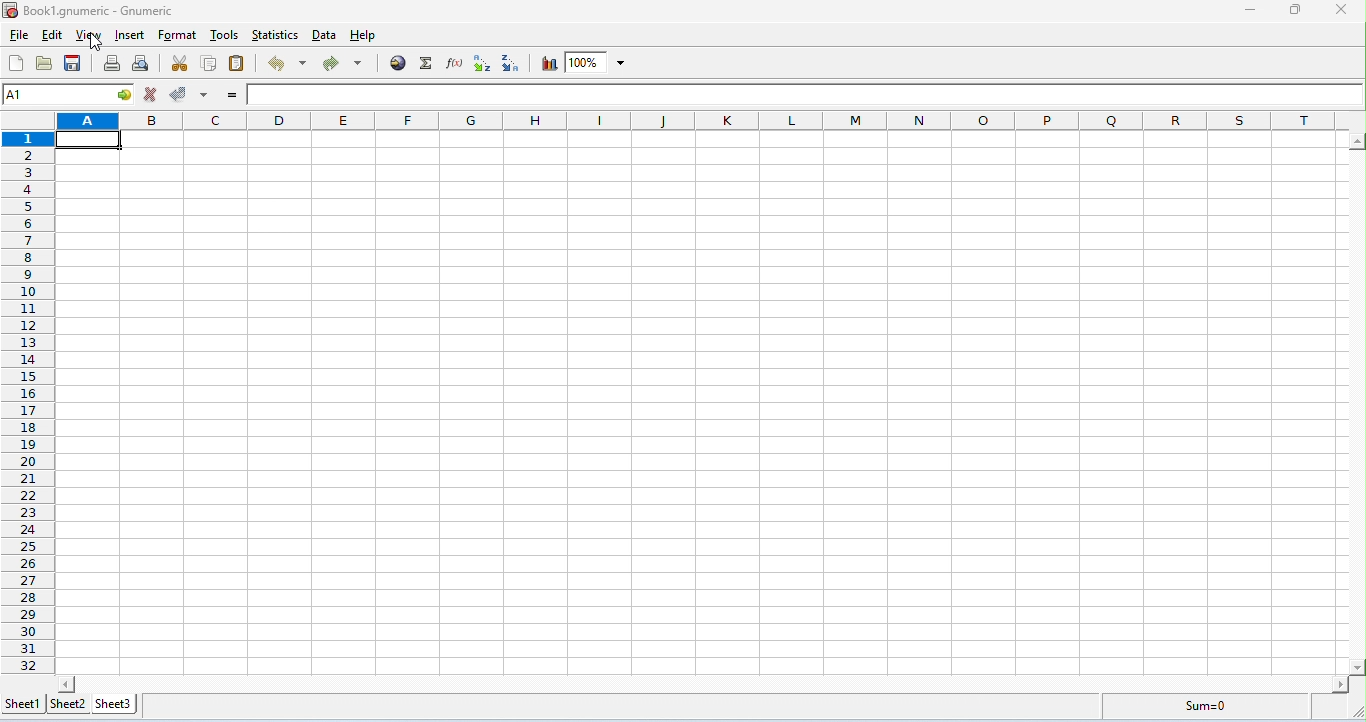 The image size is (1366, 722). What do you see at coordinates (206, 94) in the screenshot?
I see `accept change in multiple cells` at bounding box center [206, 94].